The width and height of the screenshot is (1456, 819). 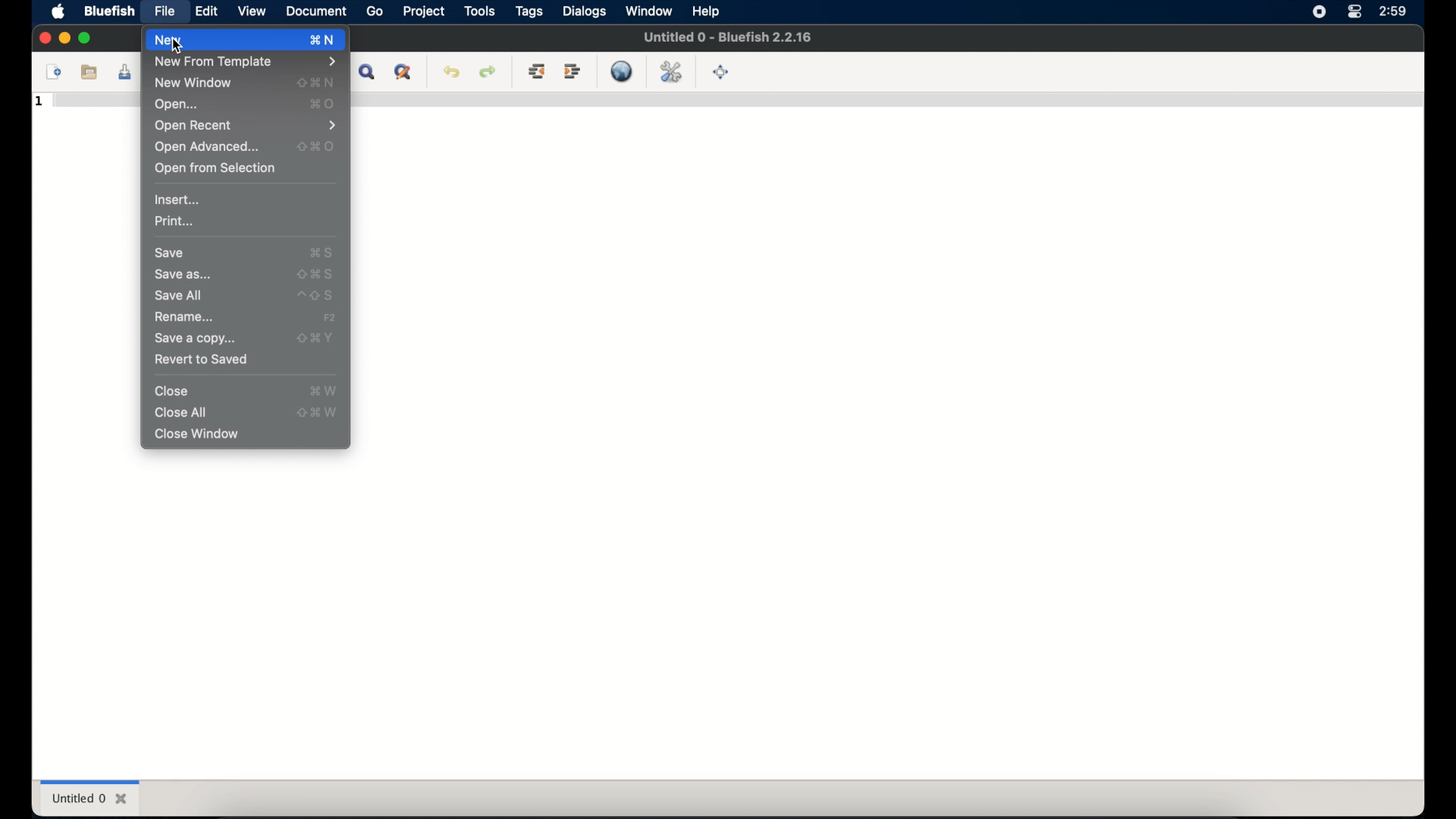 I want to click on open file, so click(x=89, y=72).